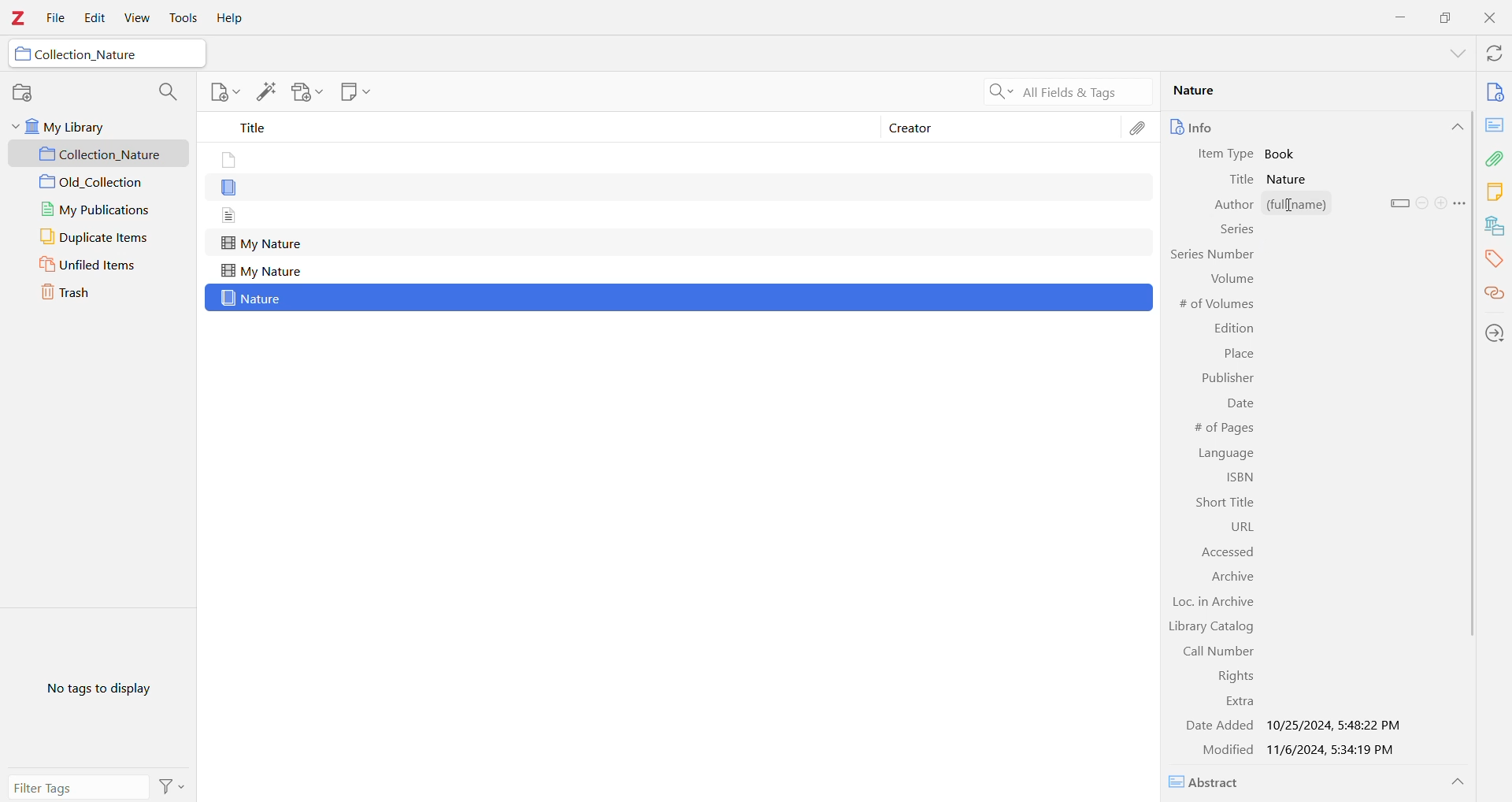 This screenshot has width=1512, height=802. What do you see at coordinates (354, 91) in the screenshot?
I see `New Note` at bounding box center [354, 91].